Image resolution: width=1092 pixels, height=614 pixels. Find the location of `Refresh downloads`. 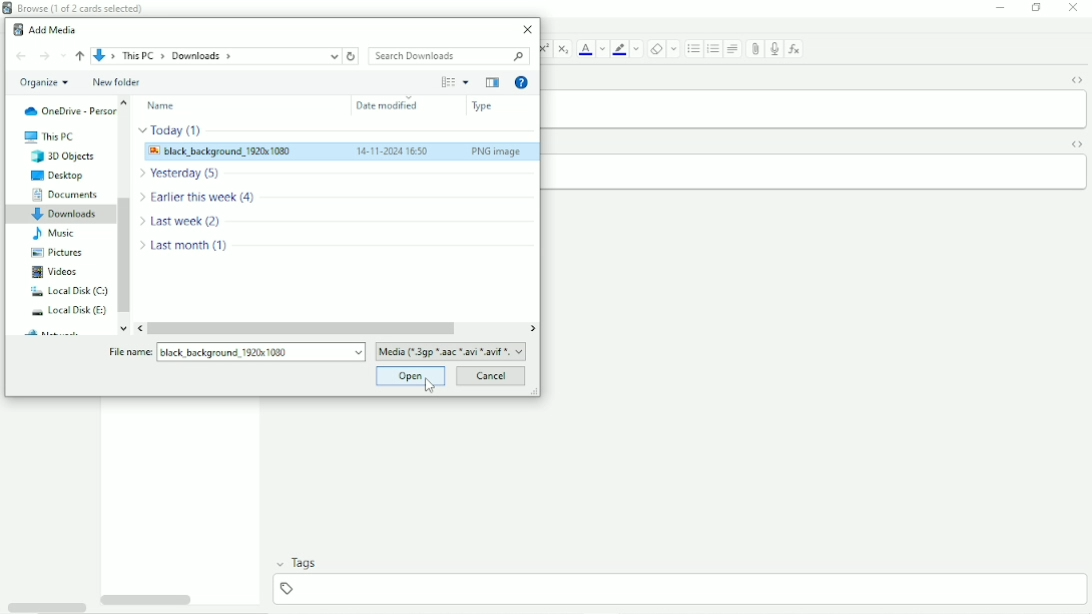

Refresh downloads is located at coordinates (350, 57).